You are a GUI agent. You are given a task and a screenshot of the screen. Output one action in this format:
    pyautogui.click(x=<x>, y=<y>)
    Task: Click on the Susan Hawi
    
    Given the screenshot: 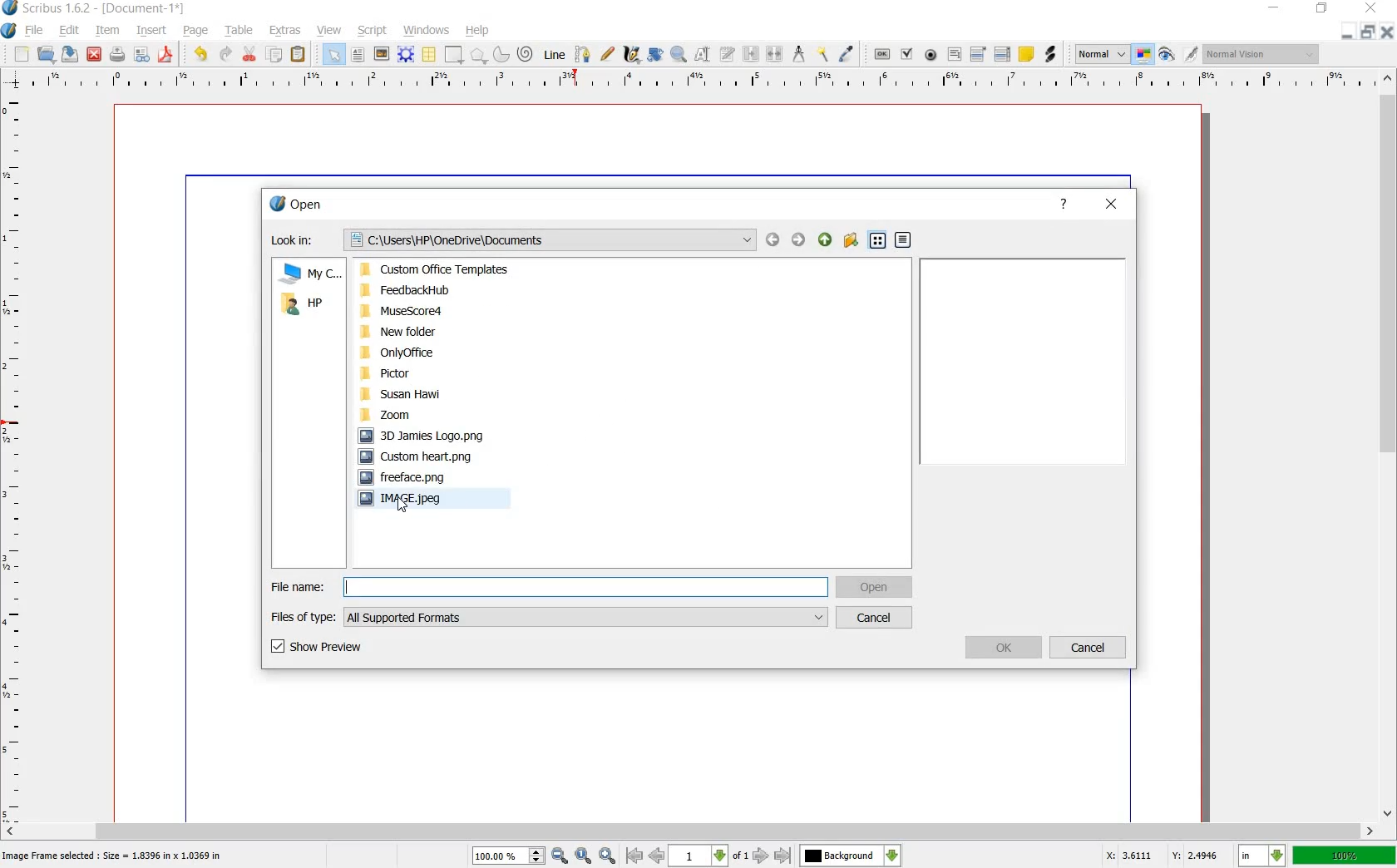 What is the action you would take?
    pyautogui.click(x=404, y=393)
    